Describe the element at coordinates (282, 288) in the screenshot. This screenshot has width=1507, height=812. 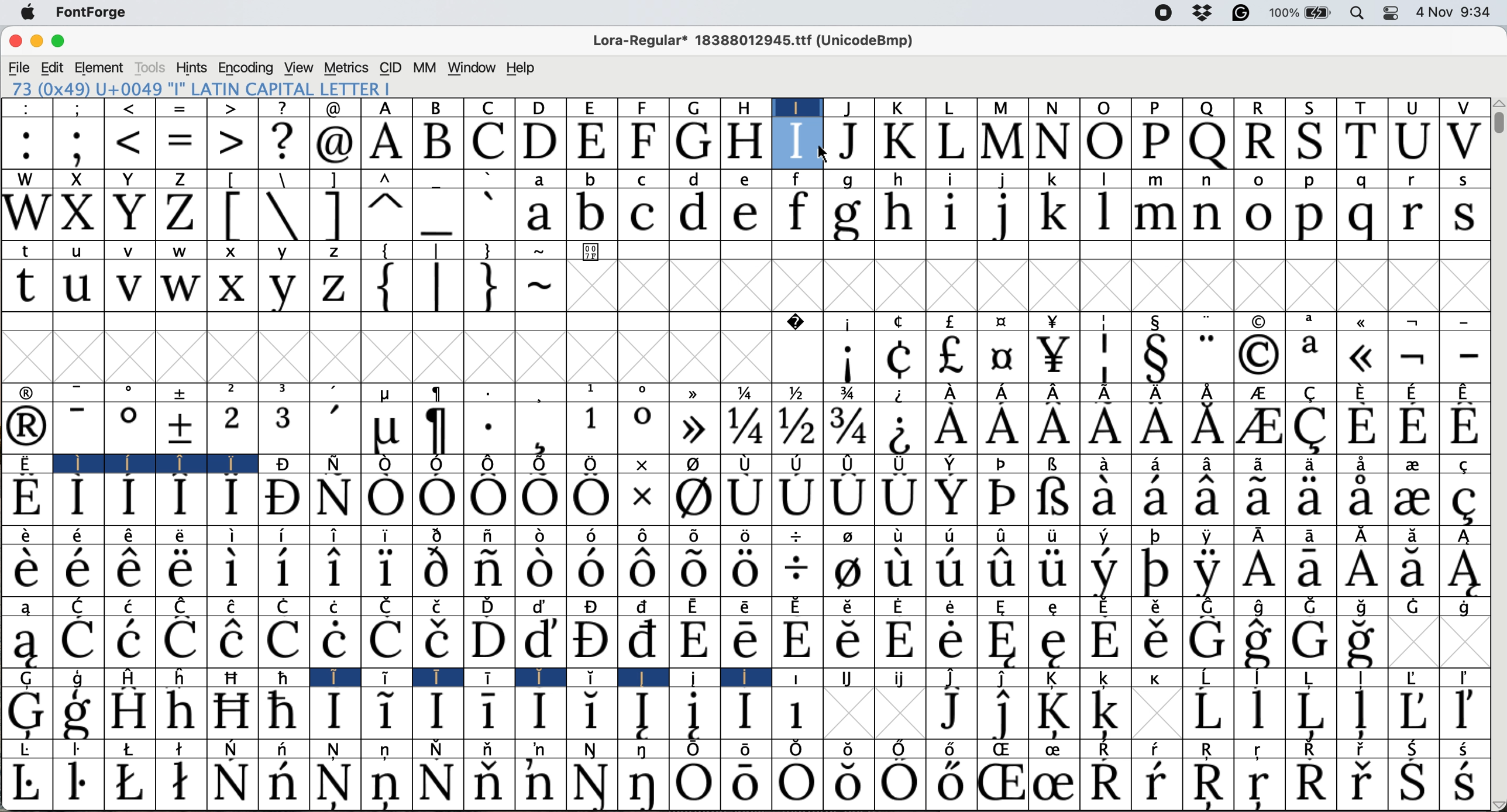
I see `y` at that location.